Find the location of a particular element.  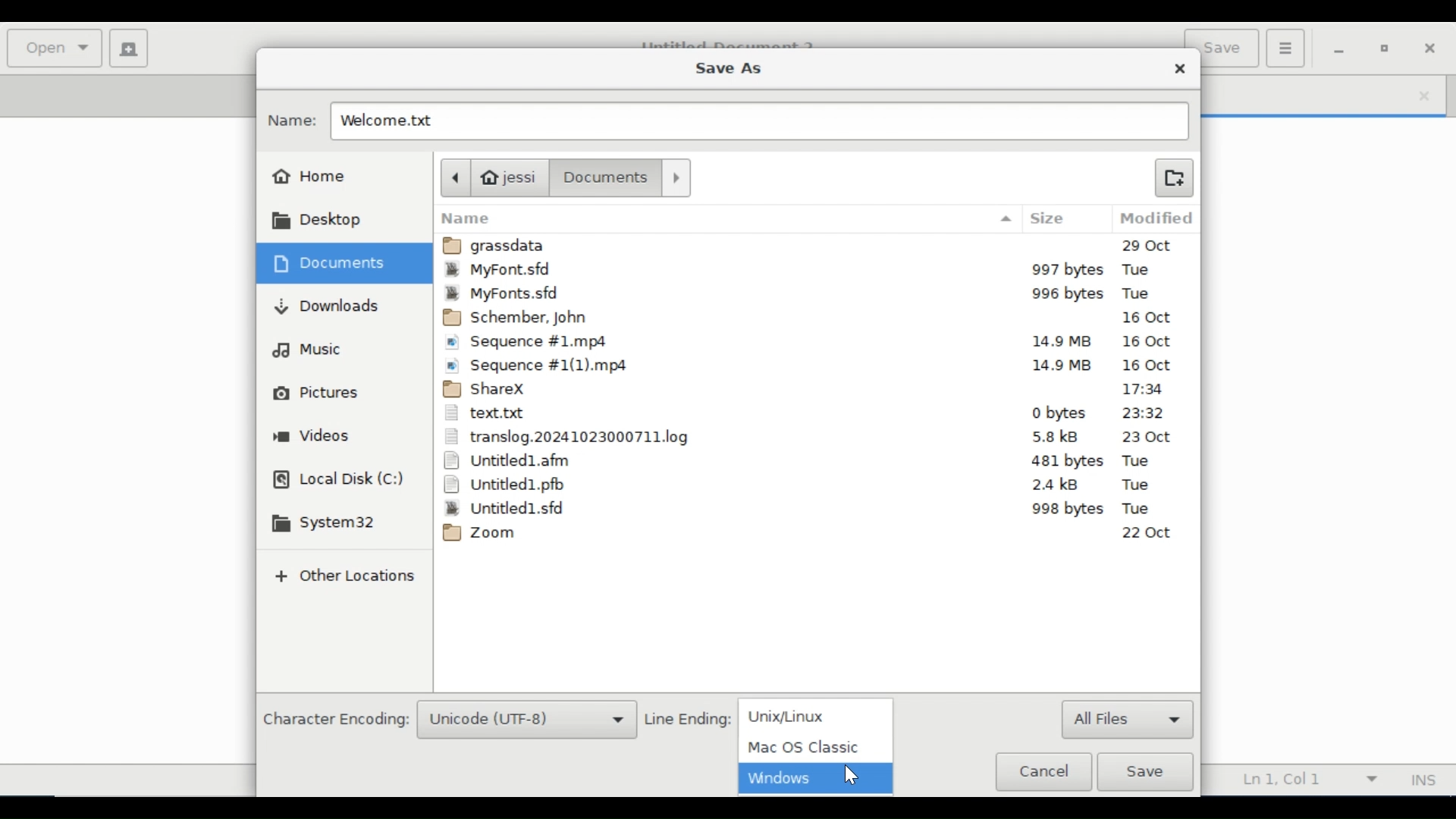

Zoom 22Oct is located at coordinates (810, 533).